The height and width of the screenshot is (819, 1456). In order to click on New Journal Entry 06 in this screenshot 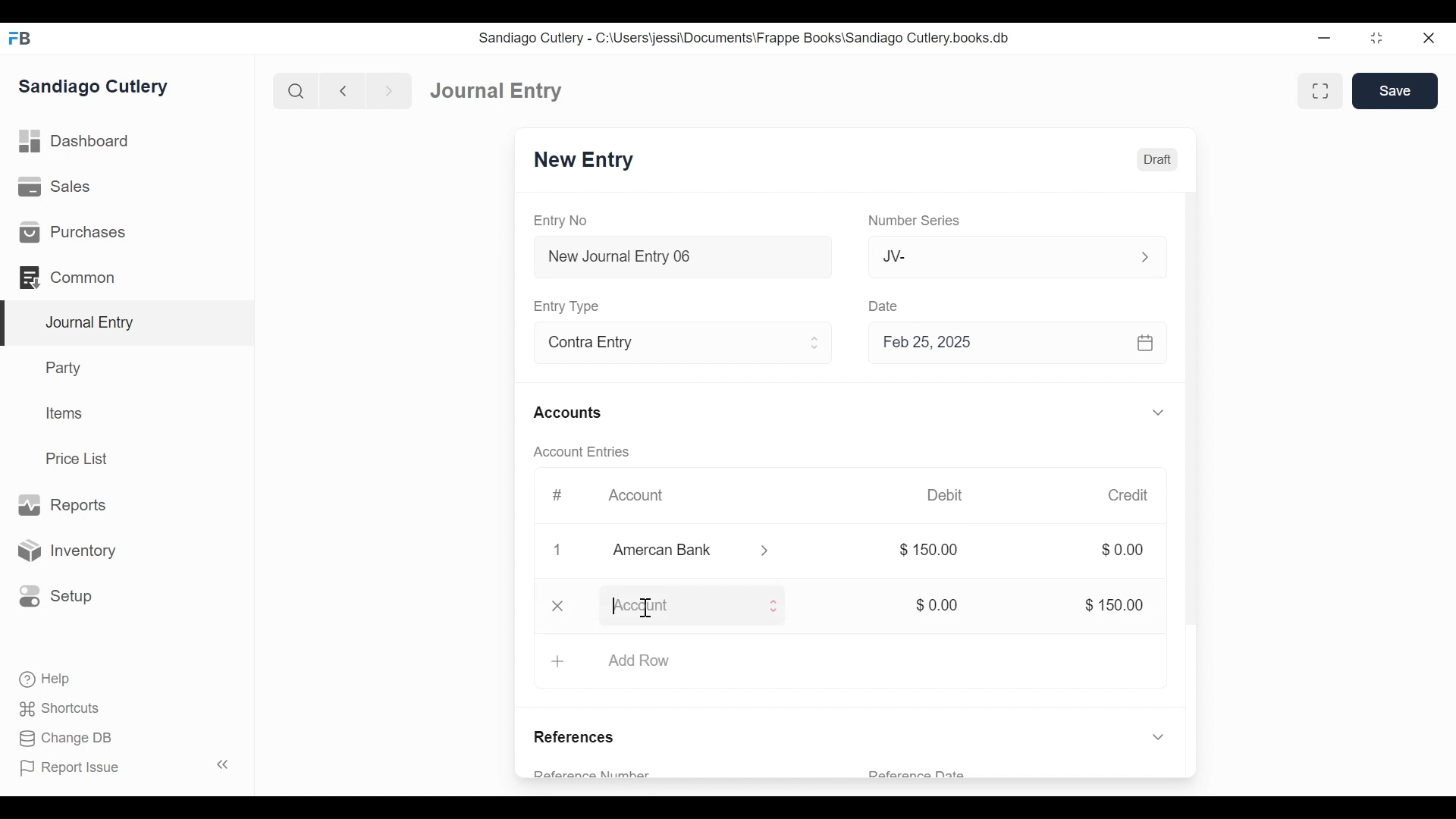, I will do `click(680, 259)`.